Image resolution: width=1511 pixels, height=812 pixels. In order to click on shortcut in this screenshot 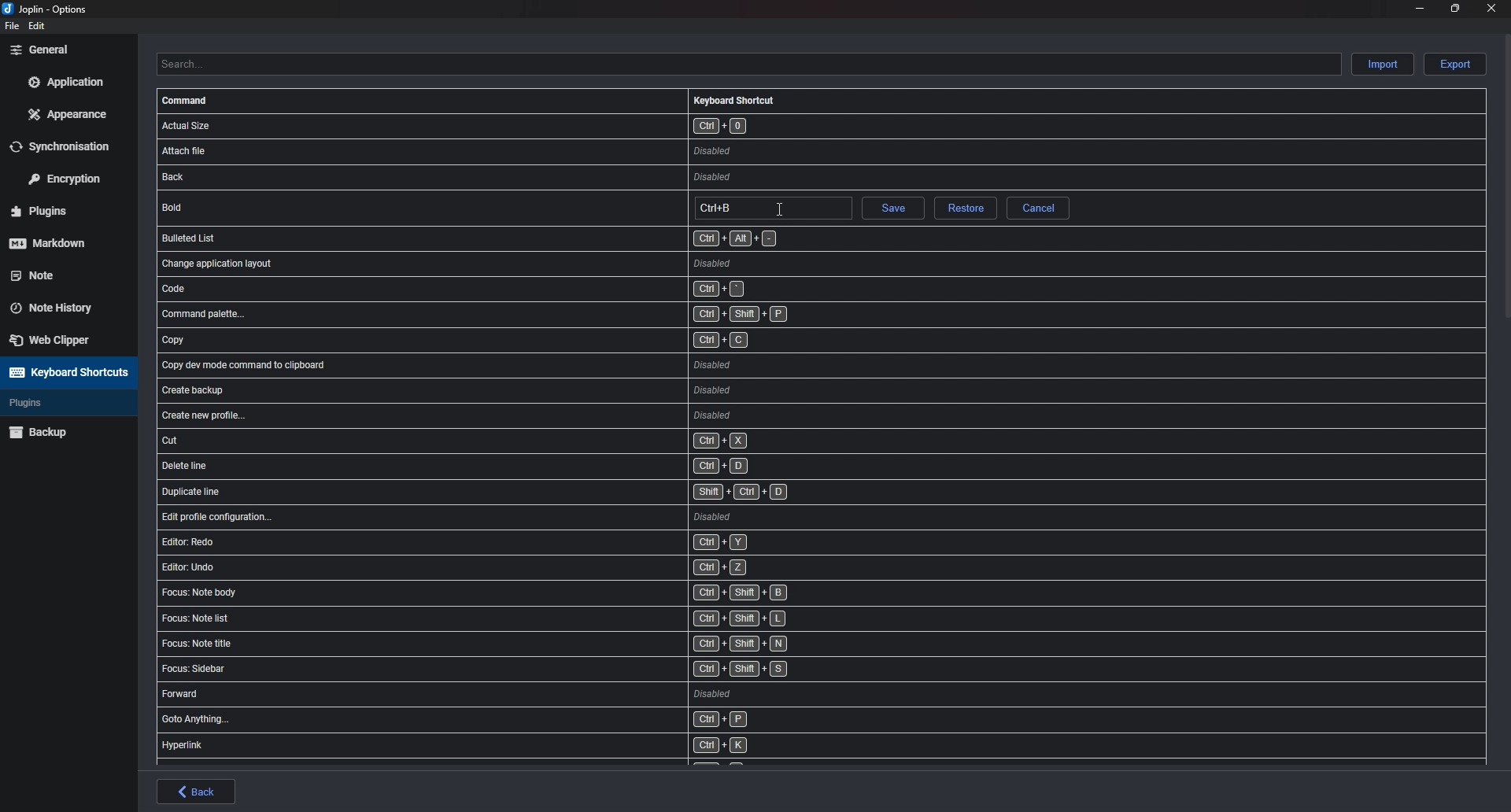, I will do `click(539, 416)`.